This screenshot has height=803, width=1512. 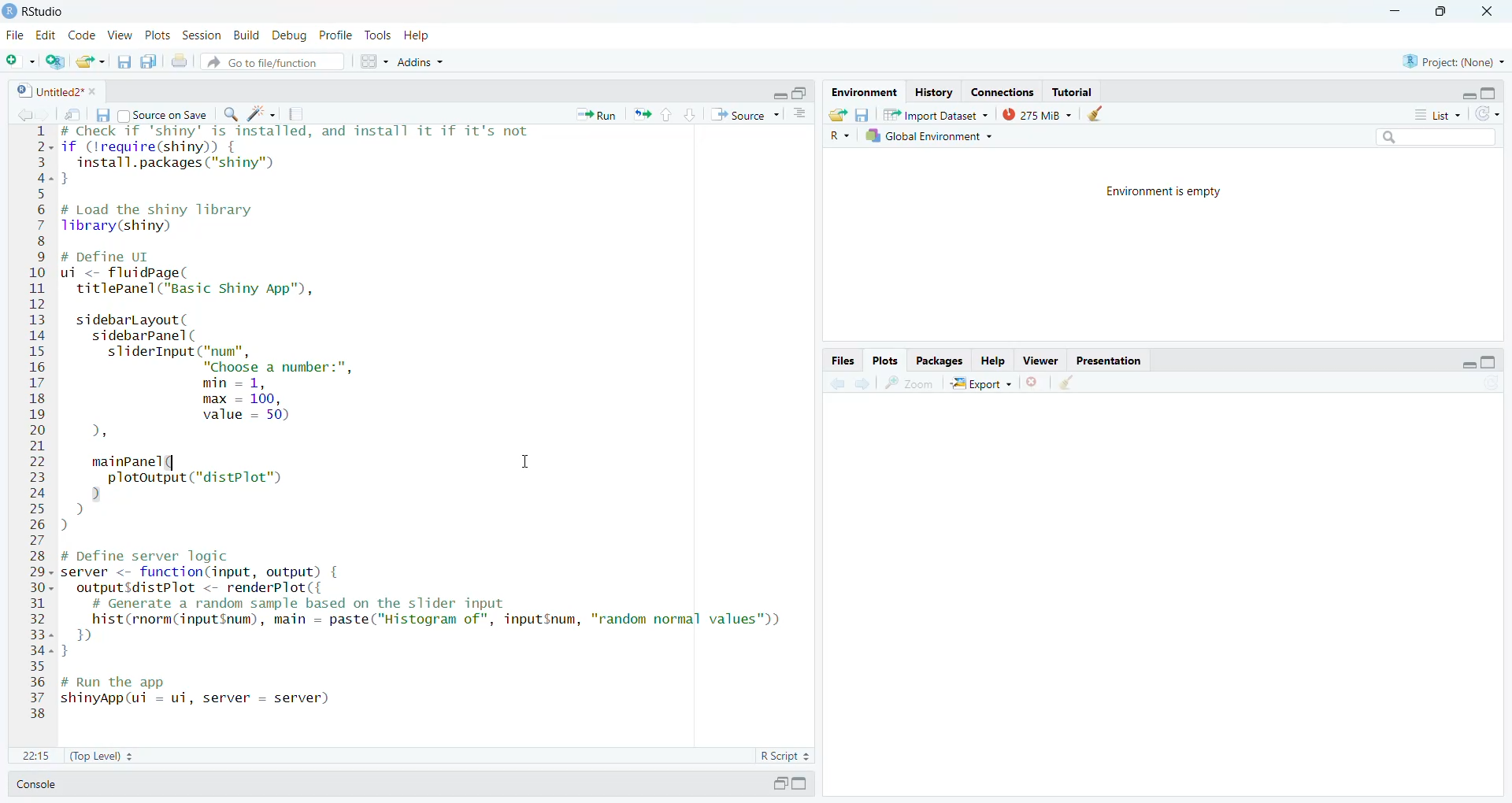 What do you see at coordinates (48, 91) in the screenshot?
I see `Untitled2 file` at bounding box center [48, 91].